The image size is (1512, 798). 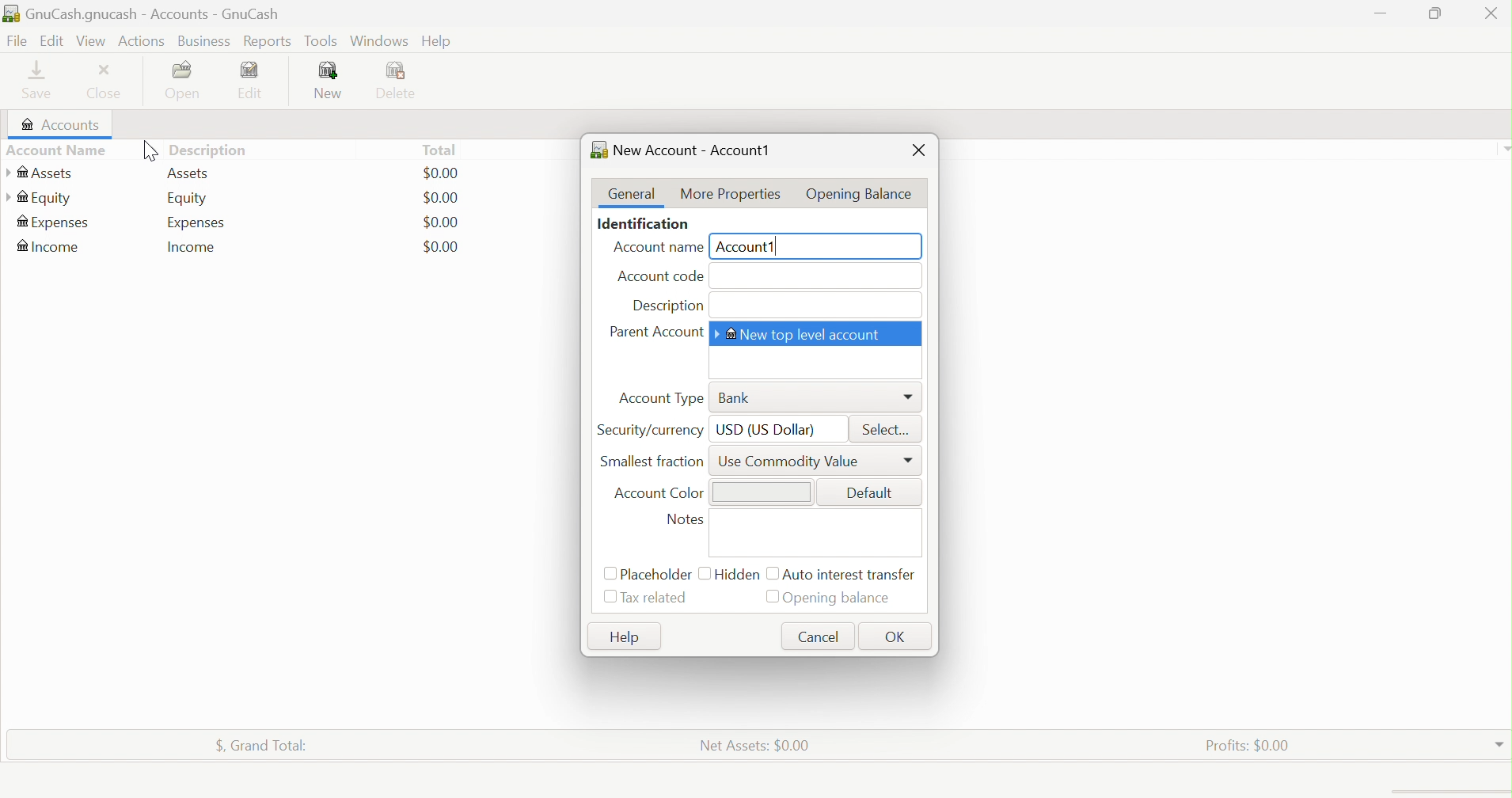 I want to click on Smallest fraction, so click(x=655, y=461).